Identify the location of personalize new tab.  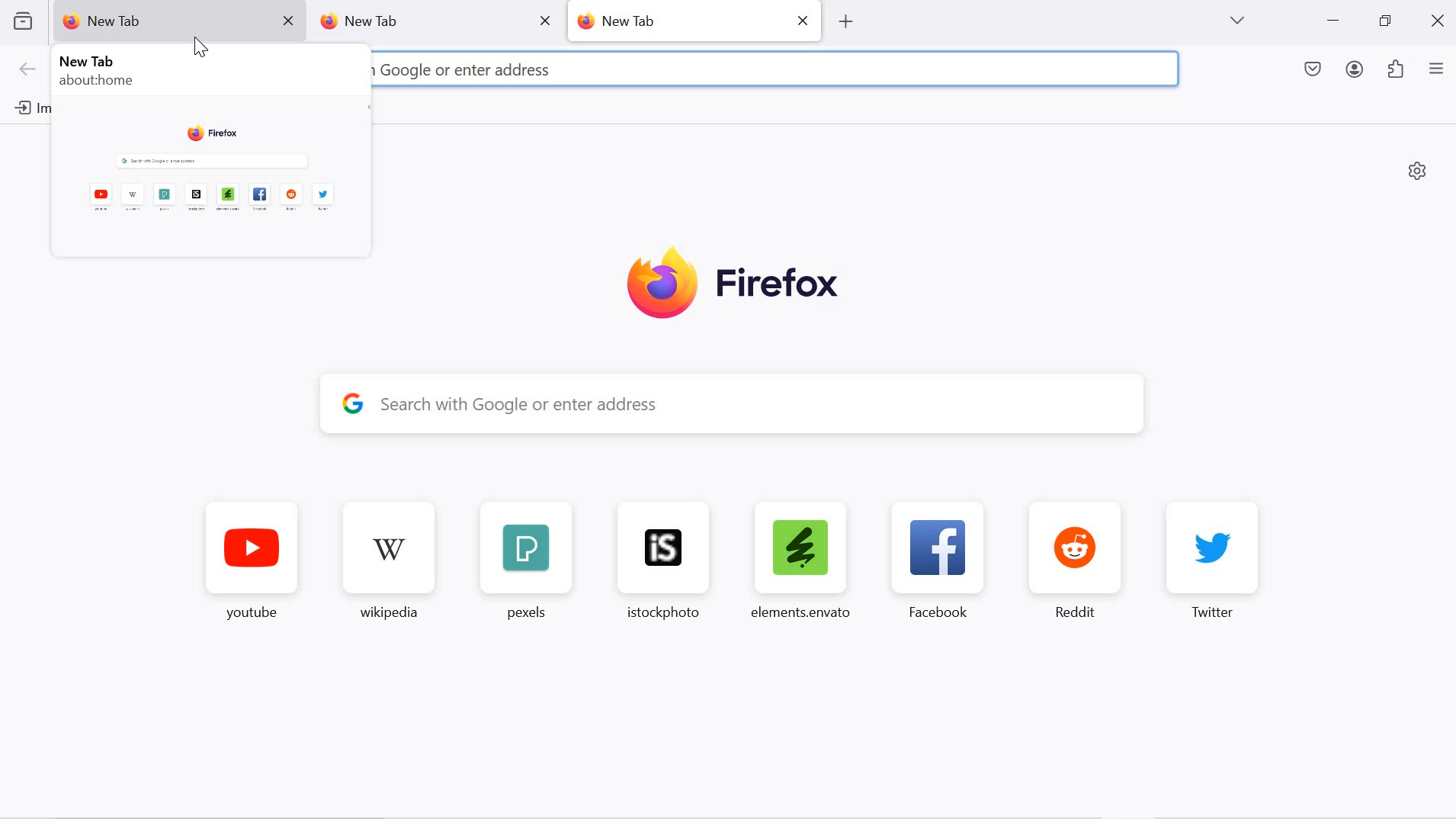
(1418, 170).